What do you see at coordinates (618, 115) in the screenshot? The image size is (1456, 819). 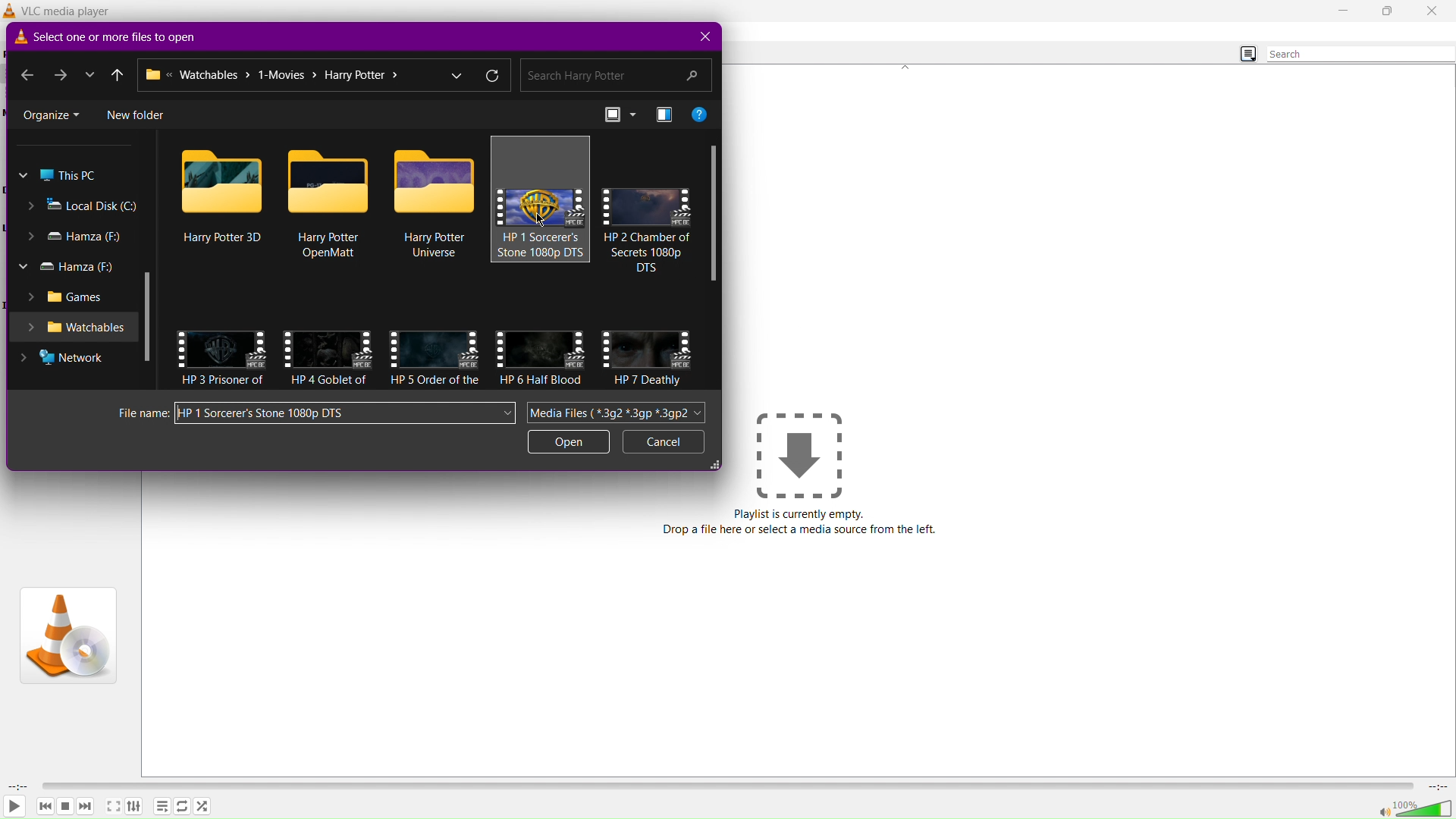 I see `Tiles` at bounding box center [618, 115].